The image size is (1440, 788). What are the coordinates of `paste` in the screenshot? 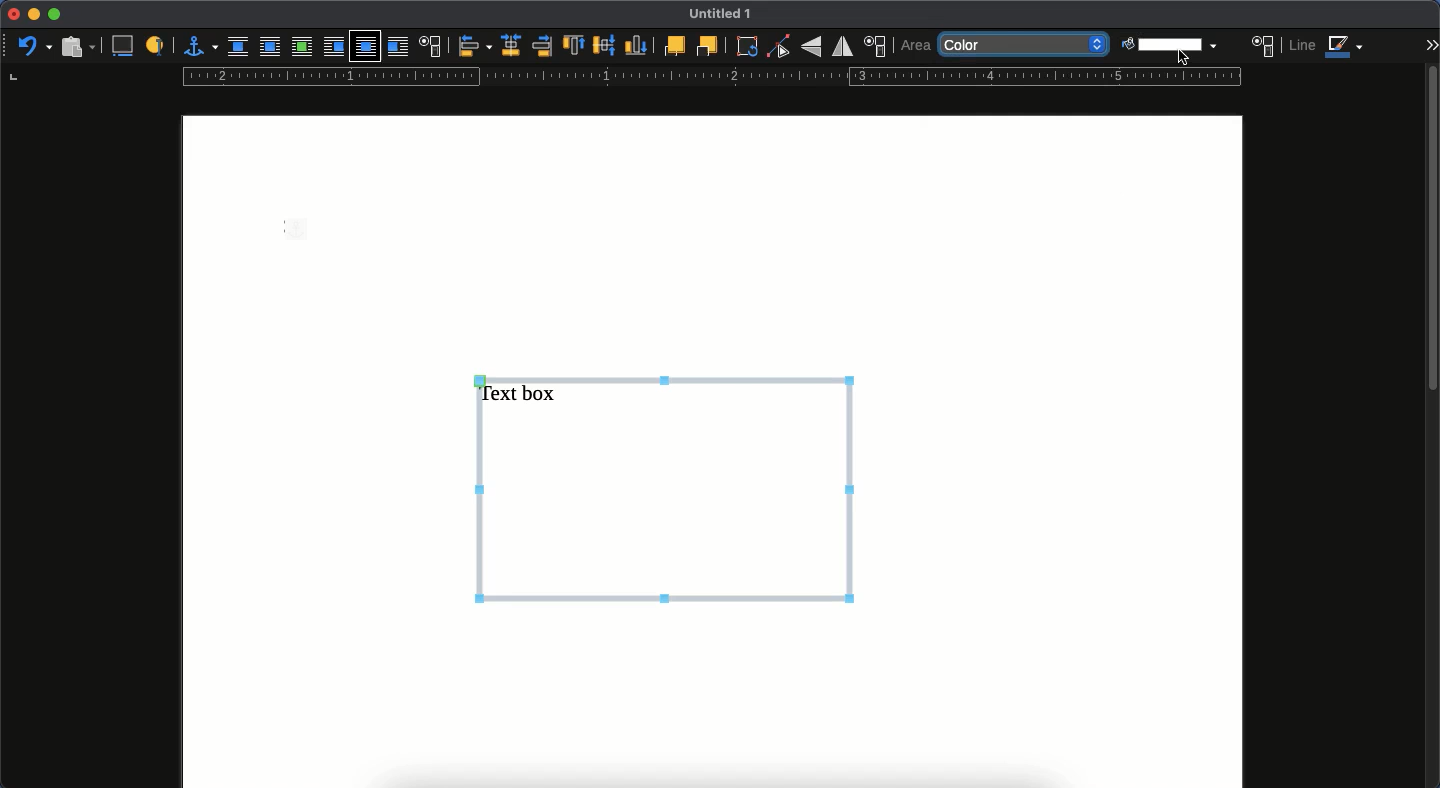 It's located at (76, 46).